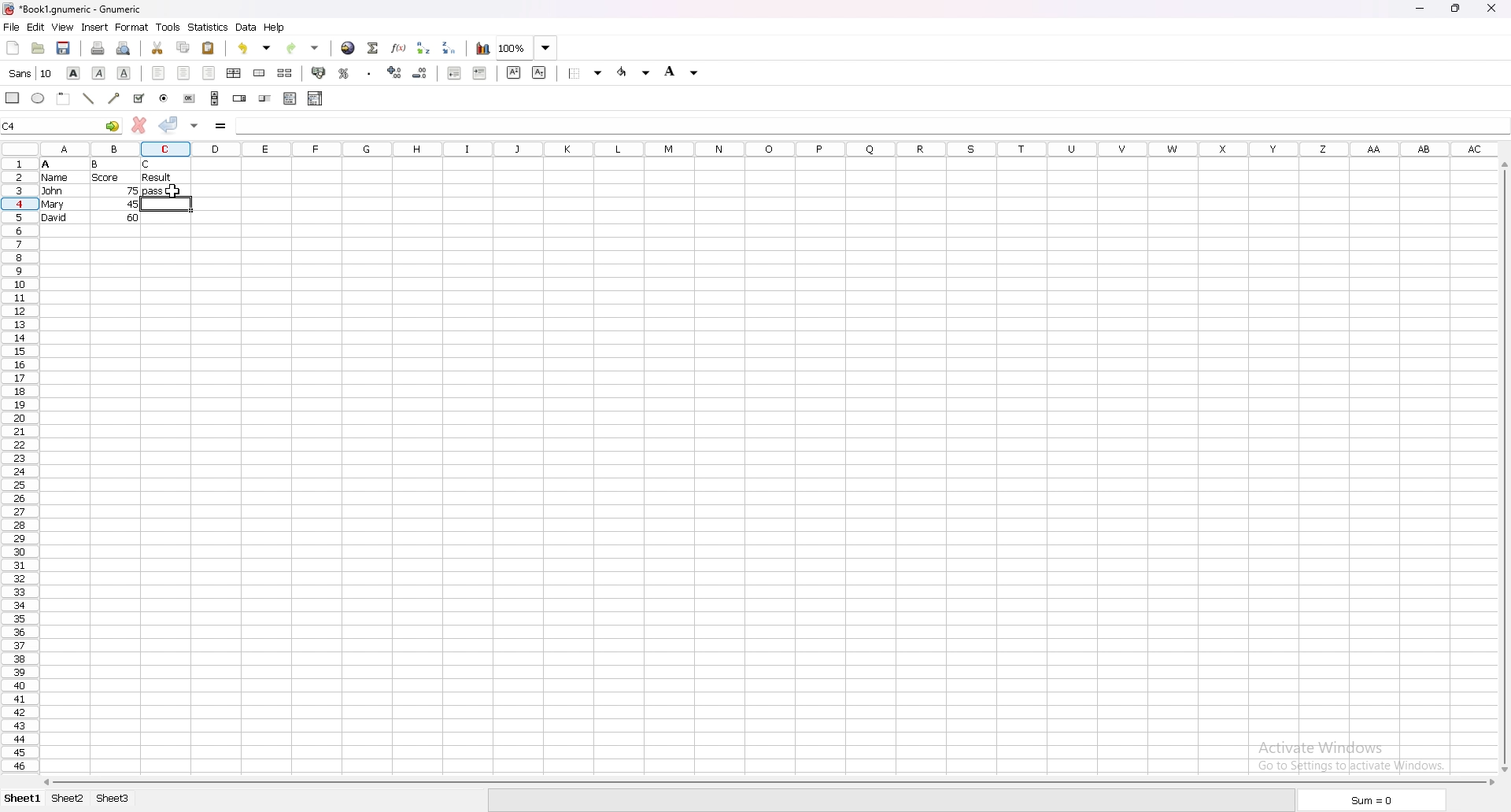 Image resolution: width=1511 pixels, height=812 pixels. Describe the element at coordinates (157, 177) in the screenshot. I see `result` at that location.